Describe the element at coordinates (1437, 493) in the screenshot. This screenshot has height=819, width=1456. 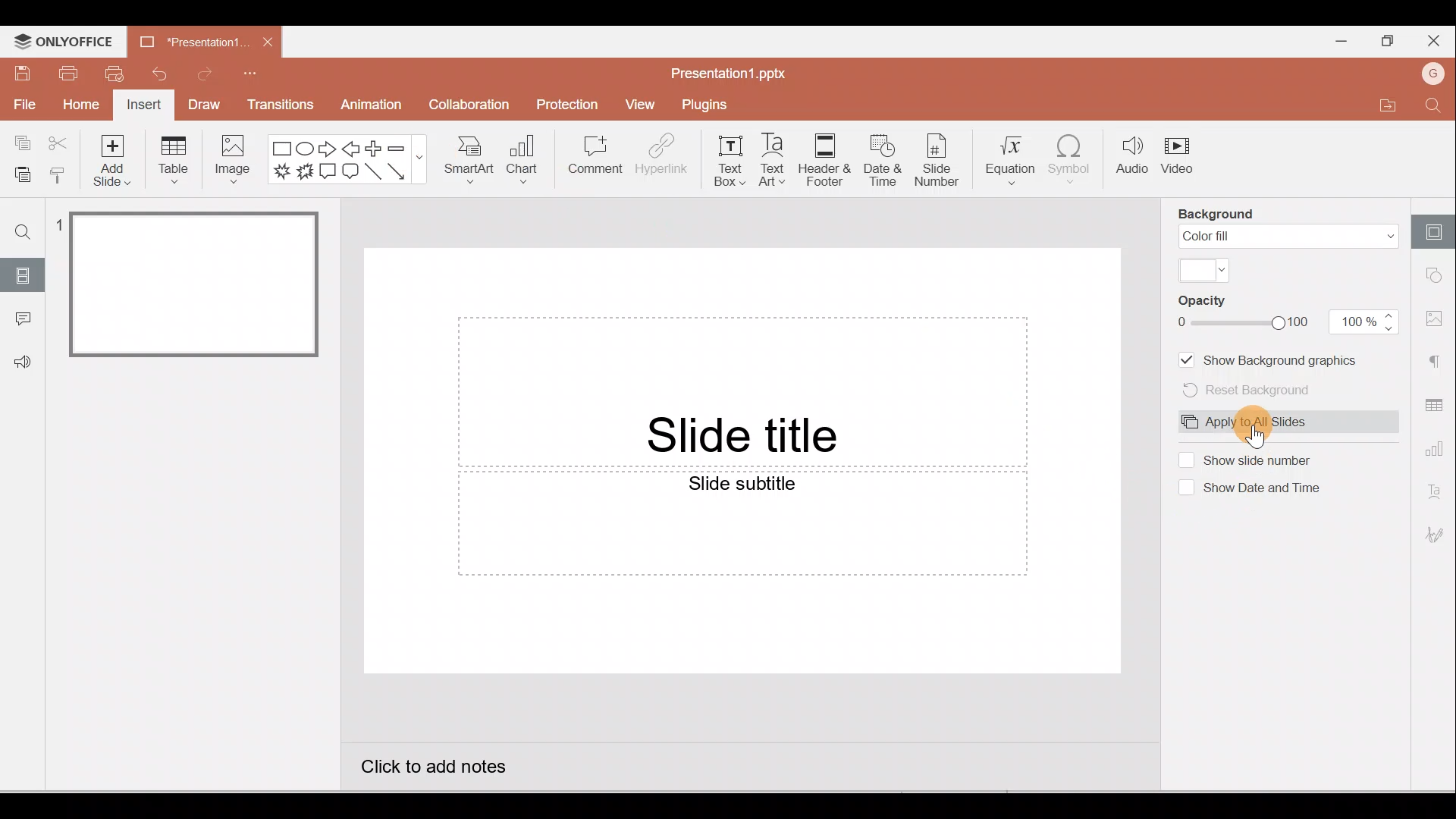
I see `Text Art settings` at that location.